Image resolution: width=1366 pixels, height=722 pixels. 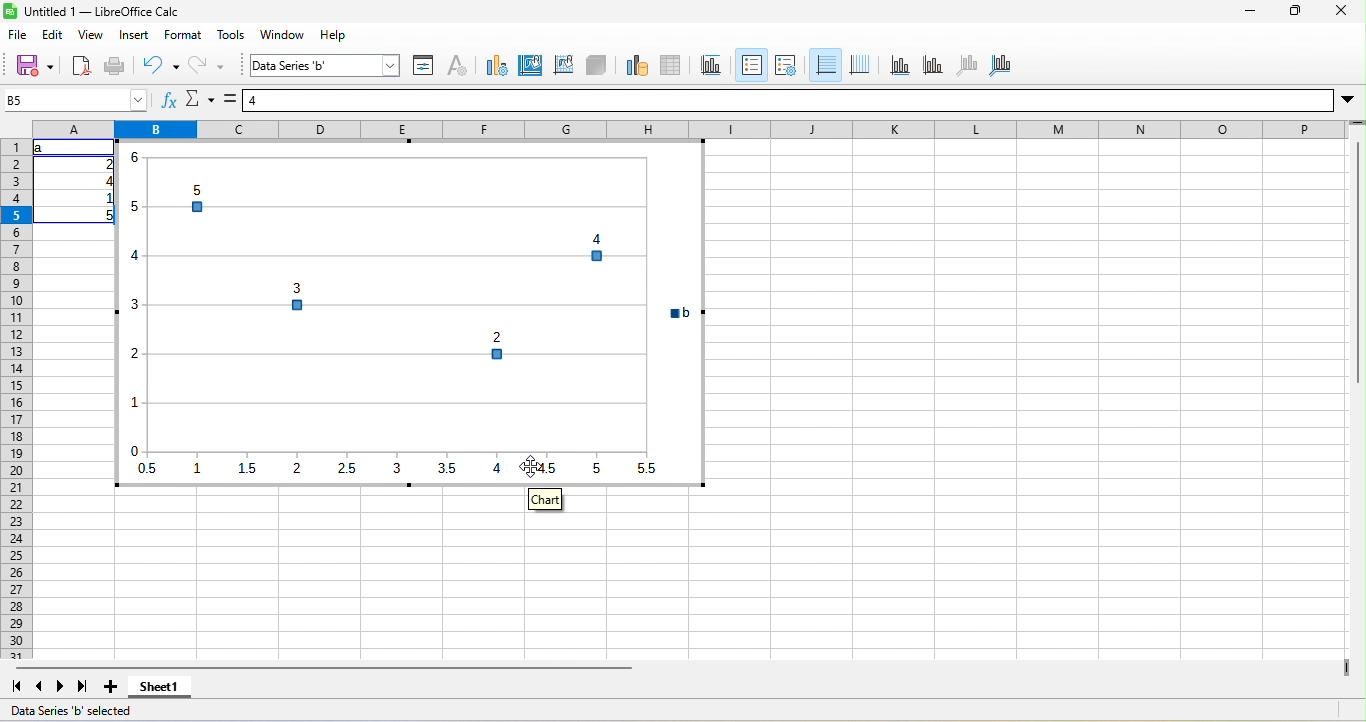 What do you see at coordinates (61, 686) in the screenshot?
I see ` next sheet` at bounding box center [61, 686].